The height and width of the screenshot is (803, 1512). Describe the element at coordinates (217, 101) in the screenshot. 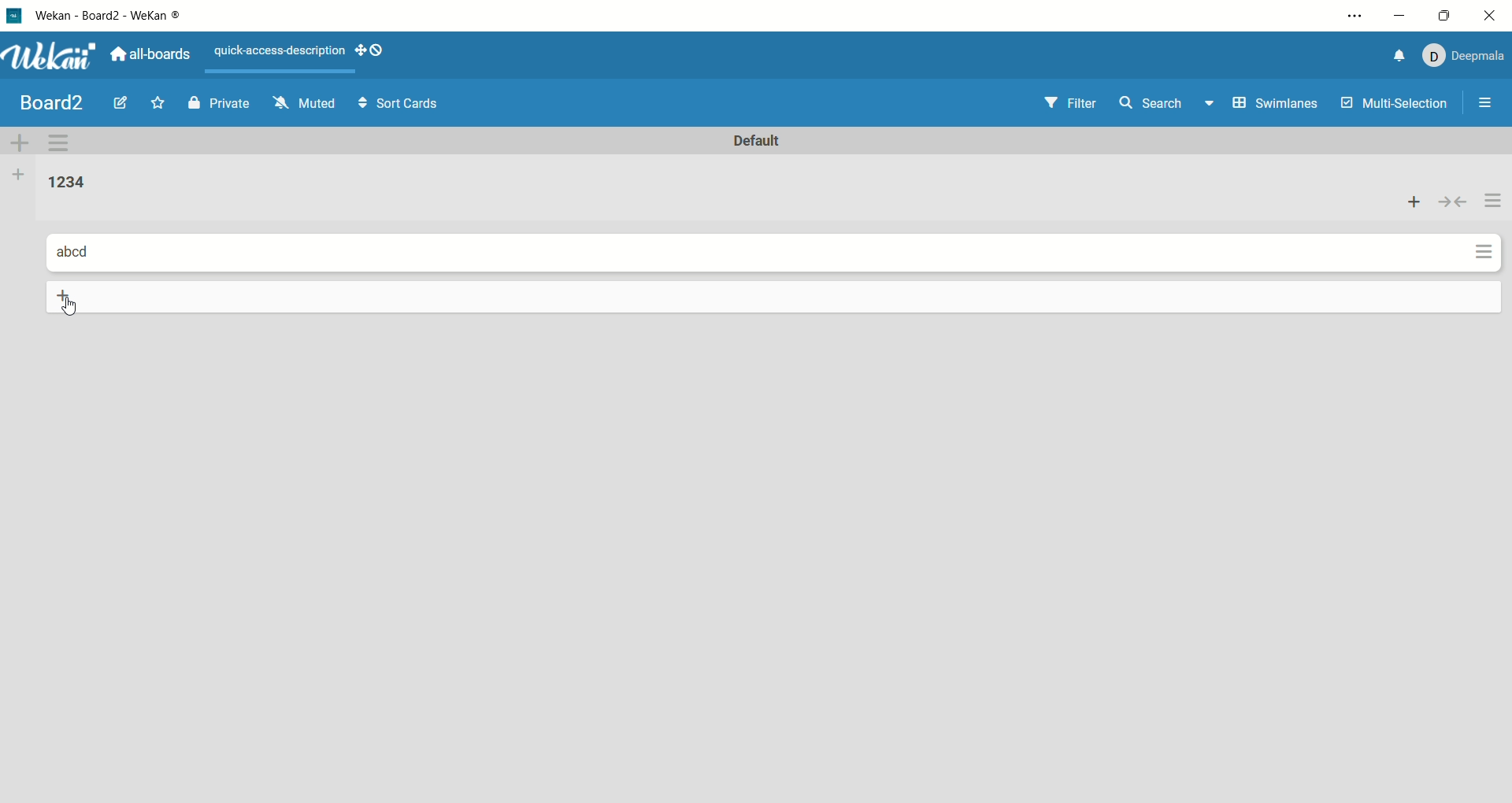

I see `private` at that location.